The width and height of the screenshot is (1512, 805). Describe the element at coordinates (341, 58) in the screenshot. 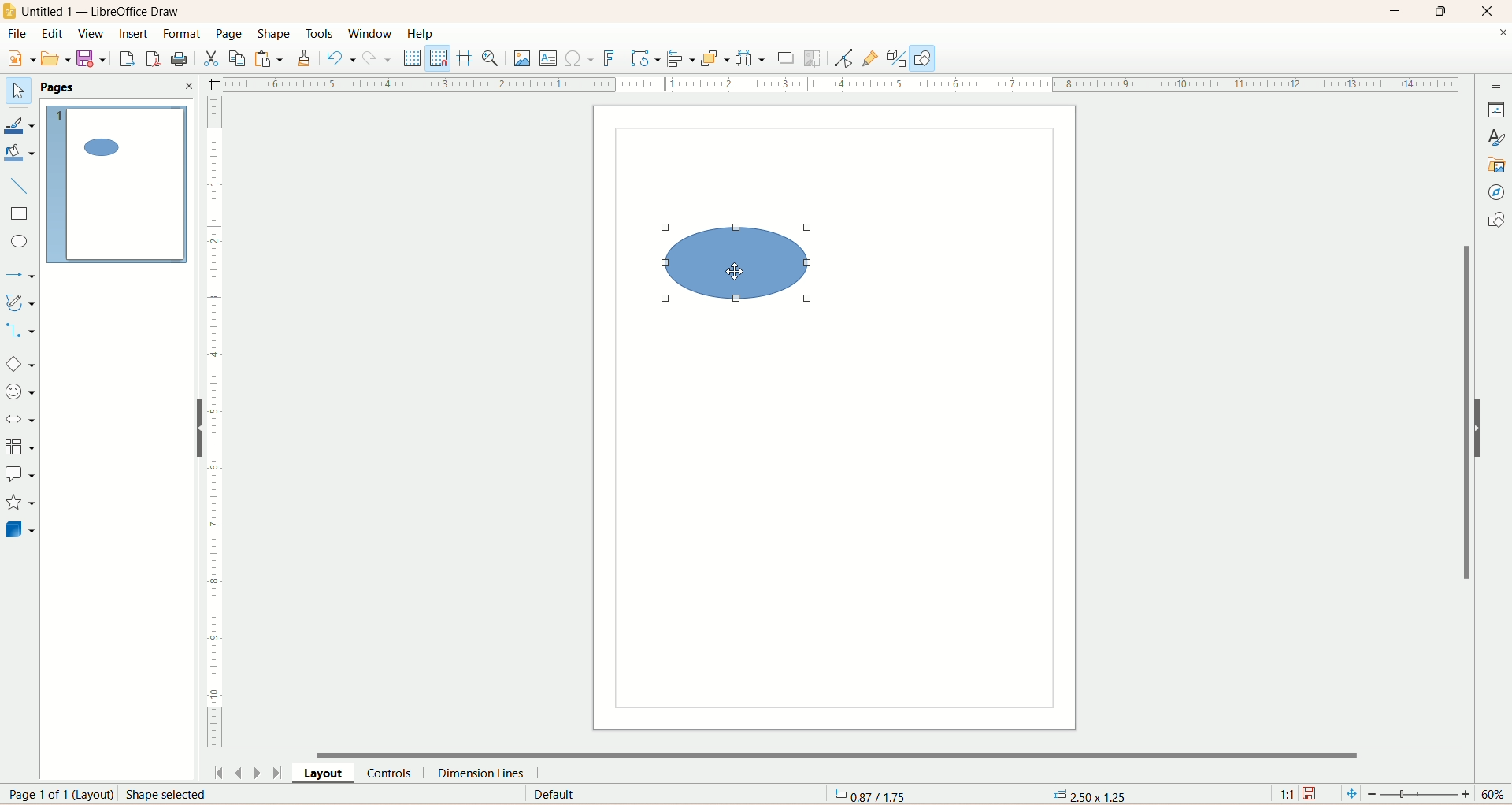

I see `undo` at that location.